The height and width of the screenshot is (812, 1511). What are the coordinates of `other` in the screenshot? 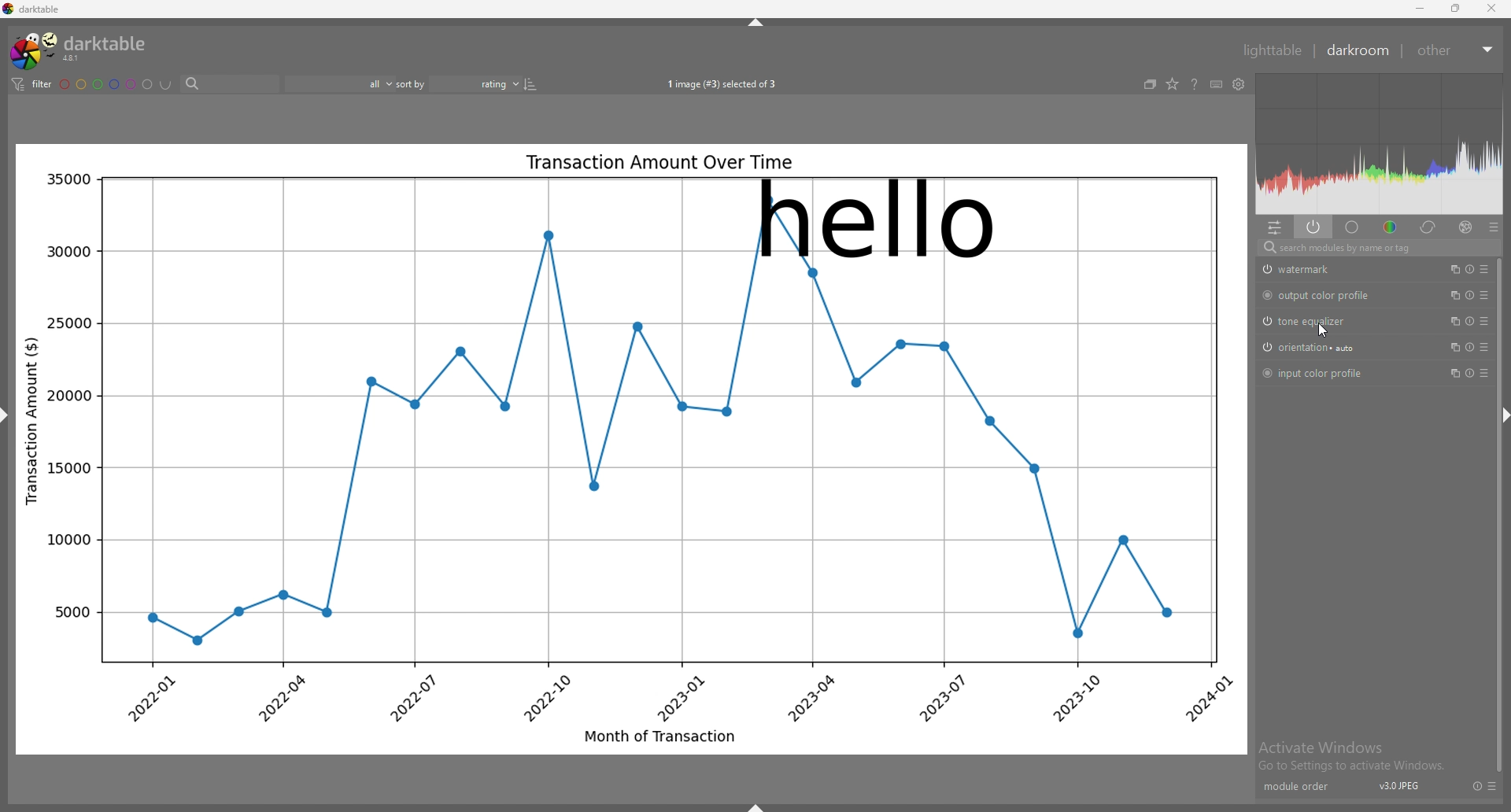 It's located at (1439, 51).